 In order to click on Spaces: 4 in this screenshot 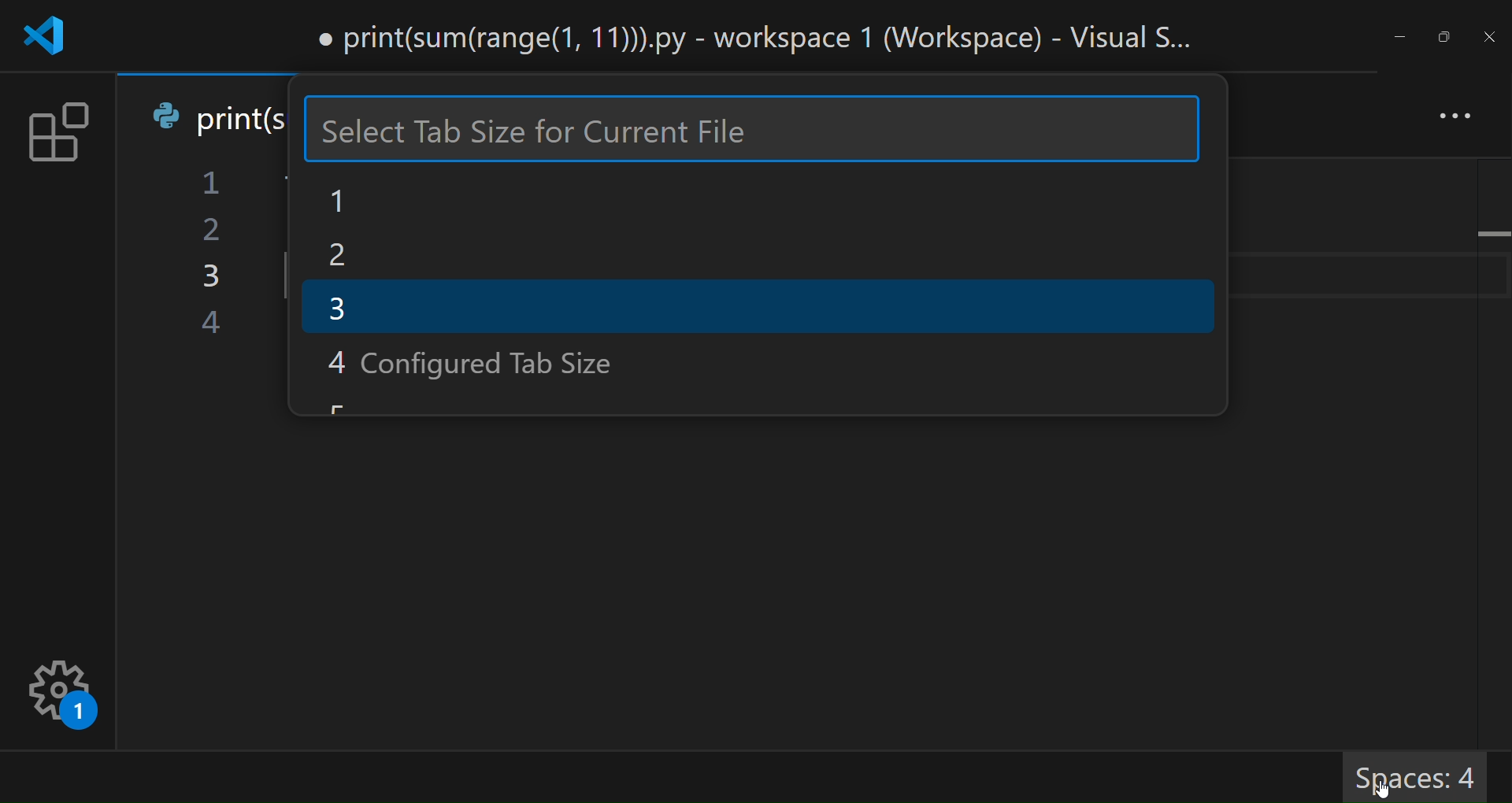, I will do `click(1425, 778)`.